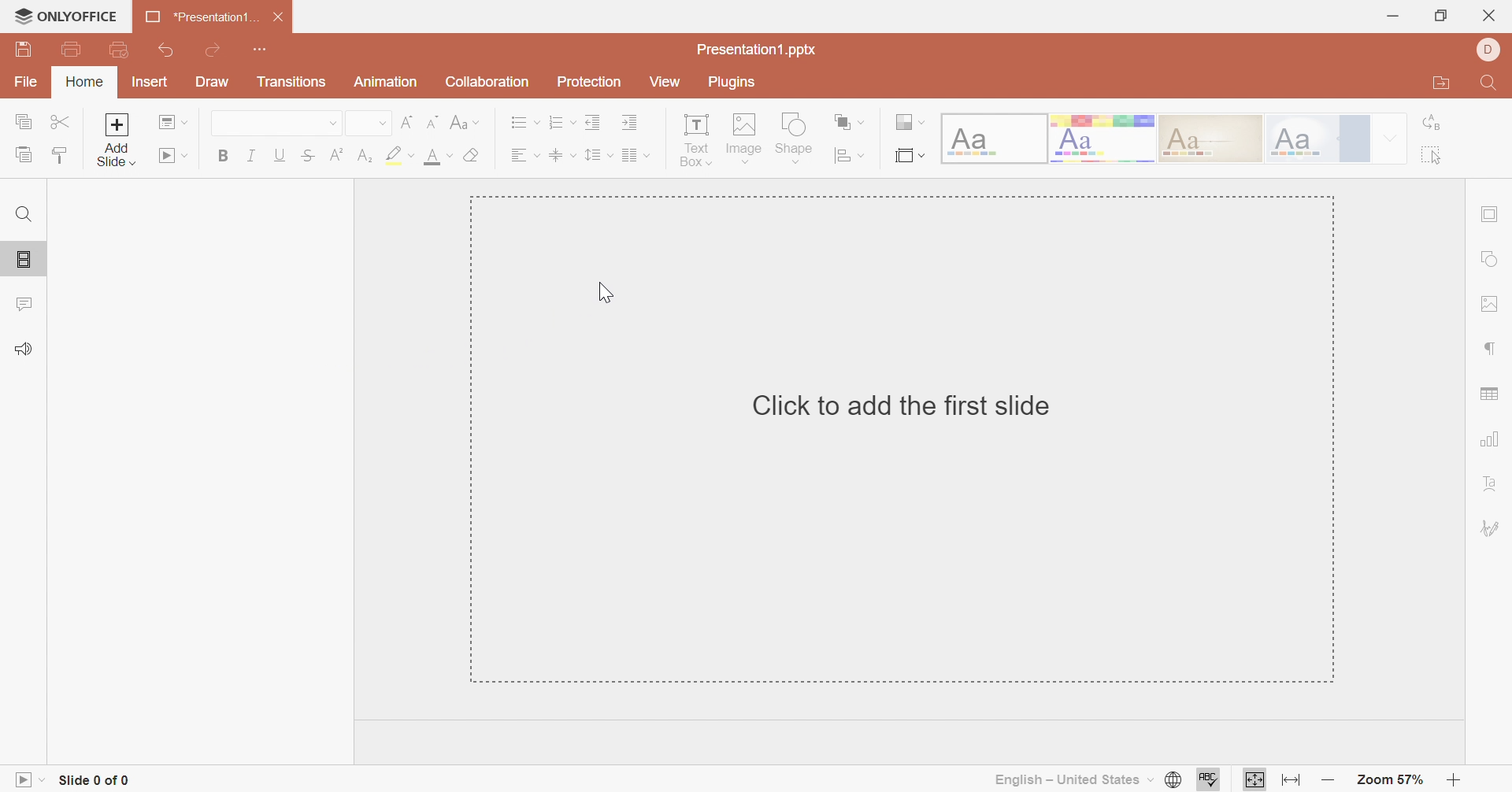 This screenshot has width=1512, height=792. What do you see at coordinates (589, 81) in the screenshot?
I see `Protection` at bounding box center [589, 81].